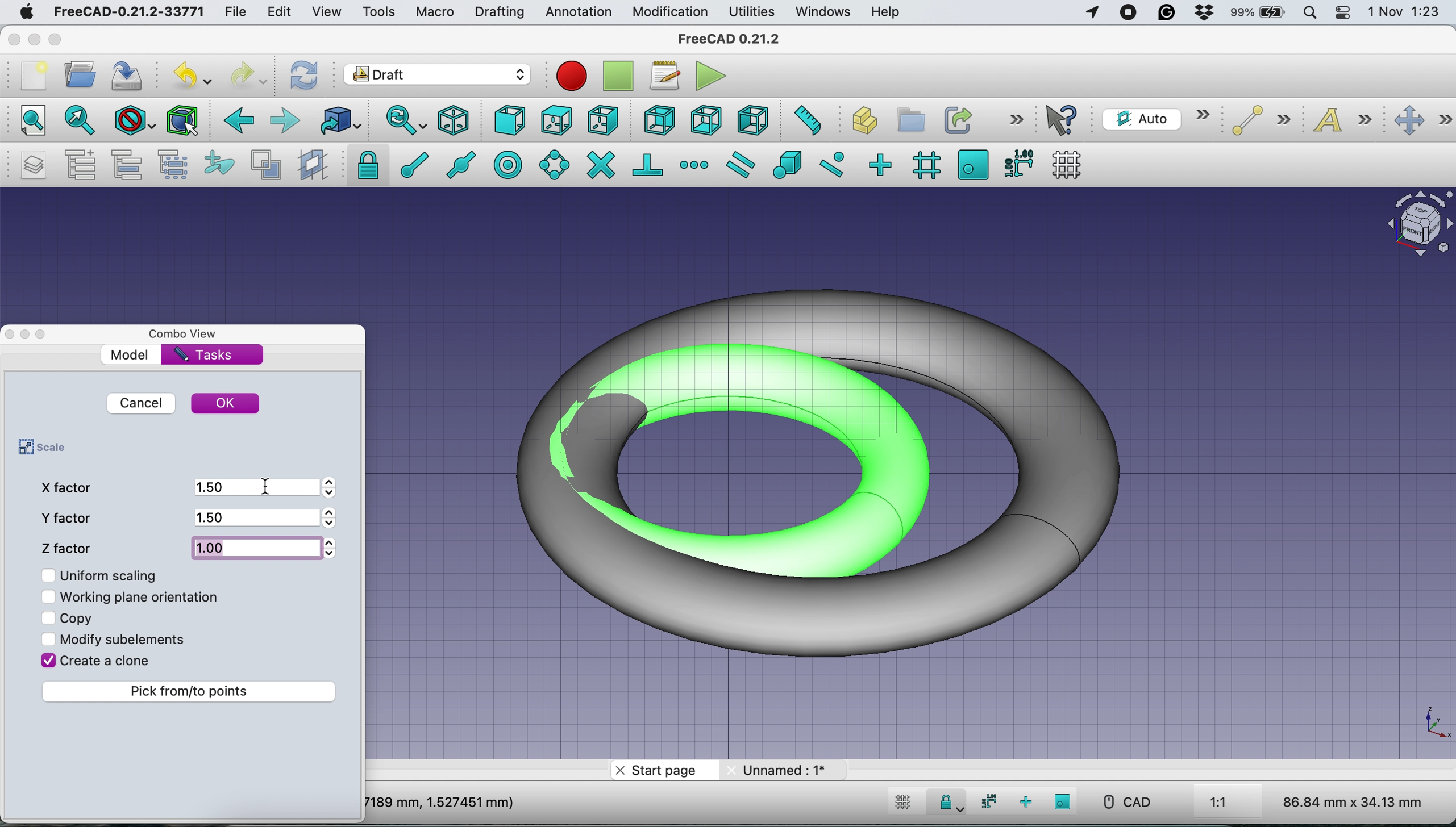 The height and width of the screenshot is (827, 1456). I want to click on move to group, so click(131, 165).